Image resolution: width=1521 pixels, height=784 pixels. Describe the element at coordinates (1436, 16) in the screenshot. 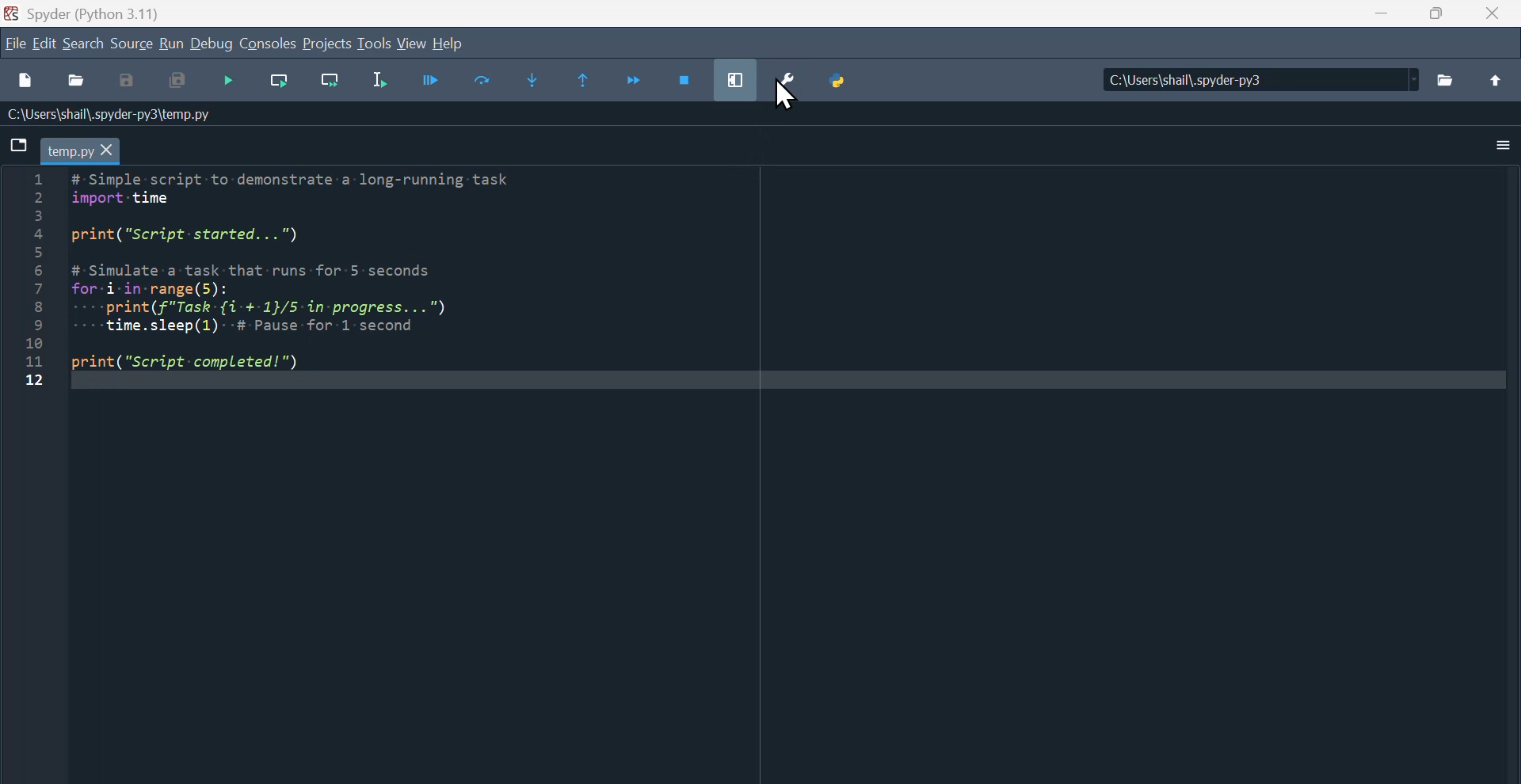

I see `Maximise` at that location.